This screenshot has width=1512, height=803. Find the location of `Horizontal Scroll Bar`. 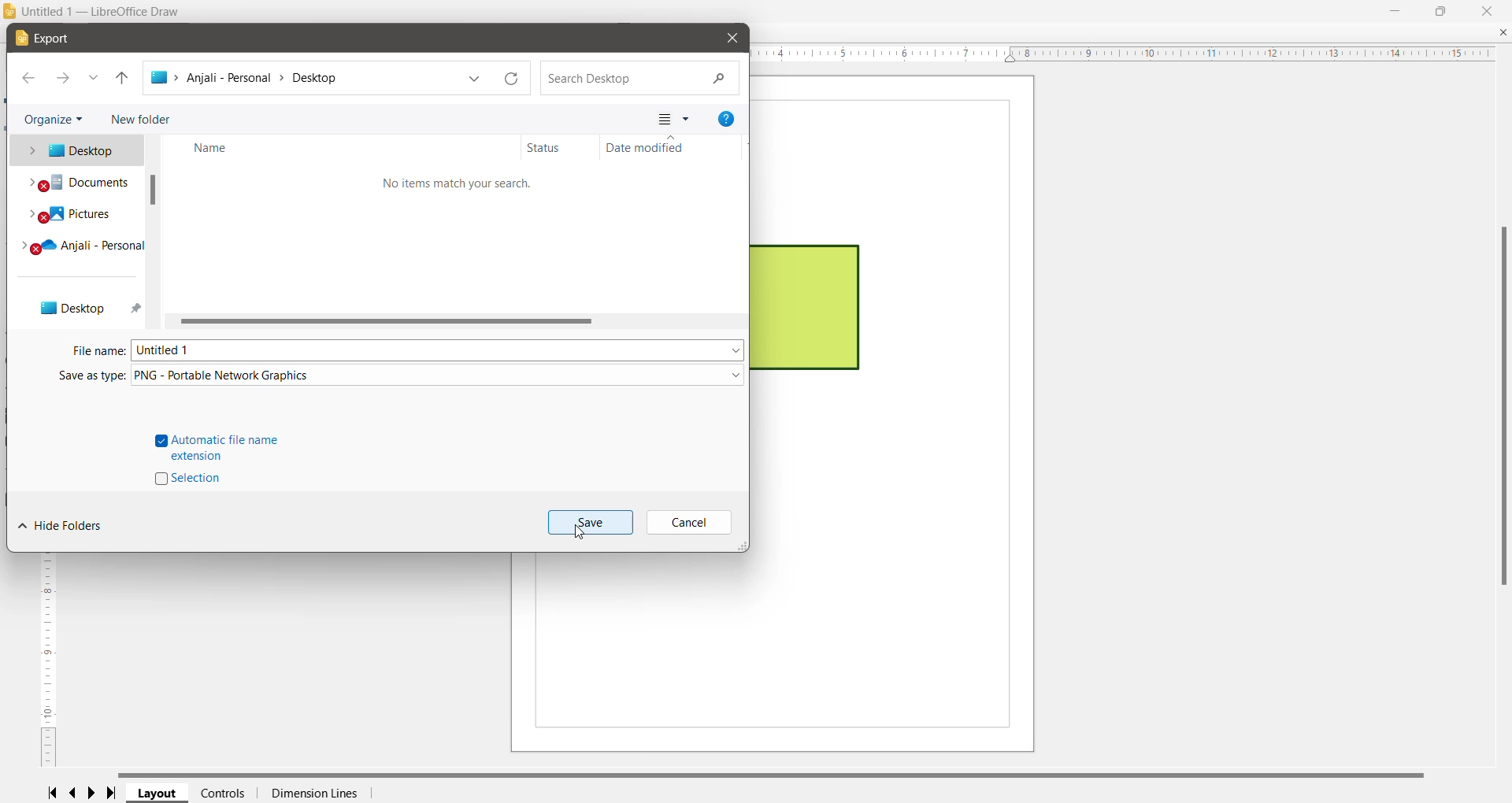

Horizontal Scroll Bar is located at coordinates (780, 774).